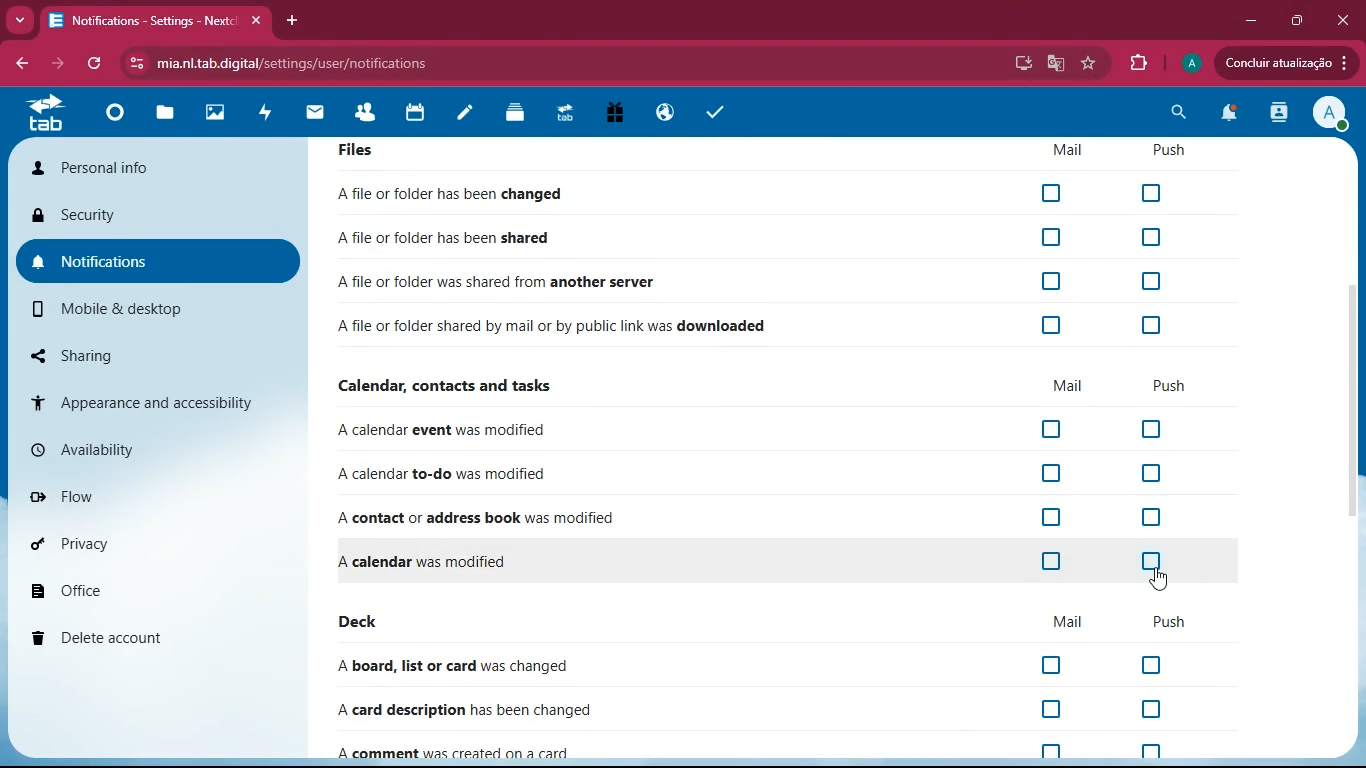  Describe the element at coordinates (143, 21) in the screenshot. I see `tab` at that location.